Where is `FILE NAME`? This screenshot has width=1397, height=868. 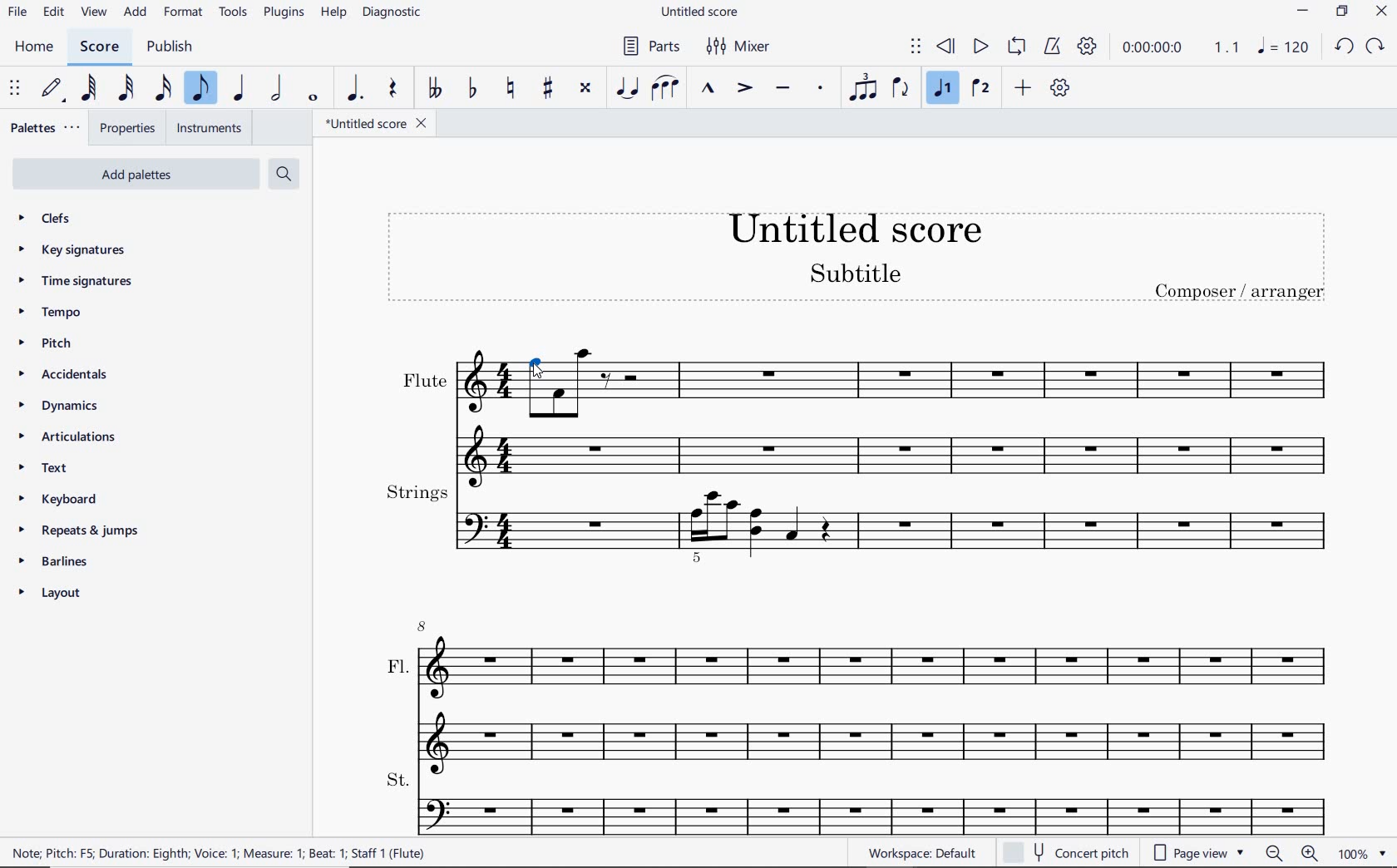 FILE NAME is located at coordinates (380, 123).